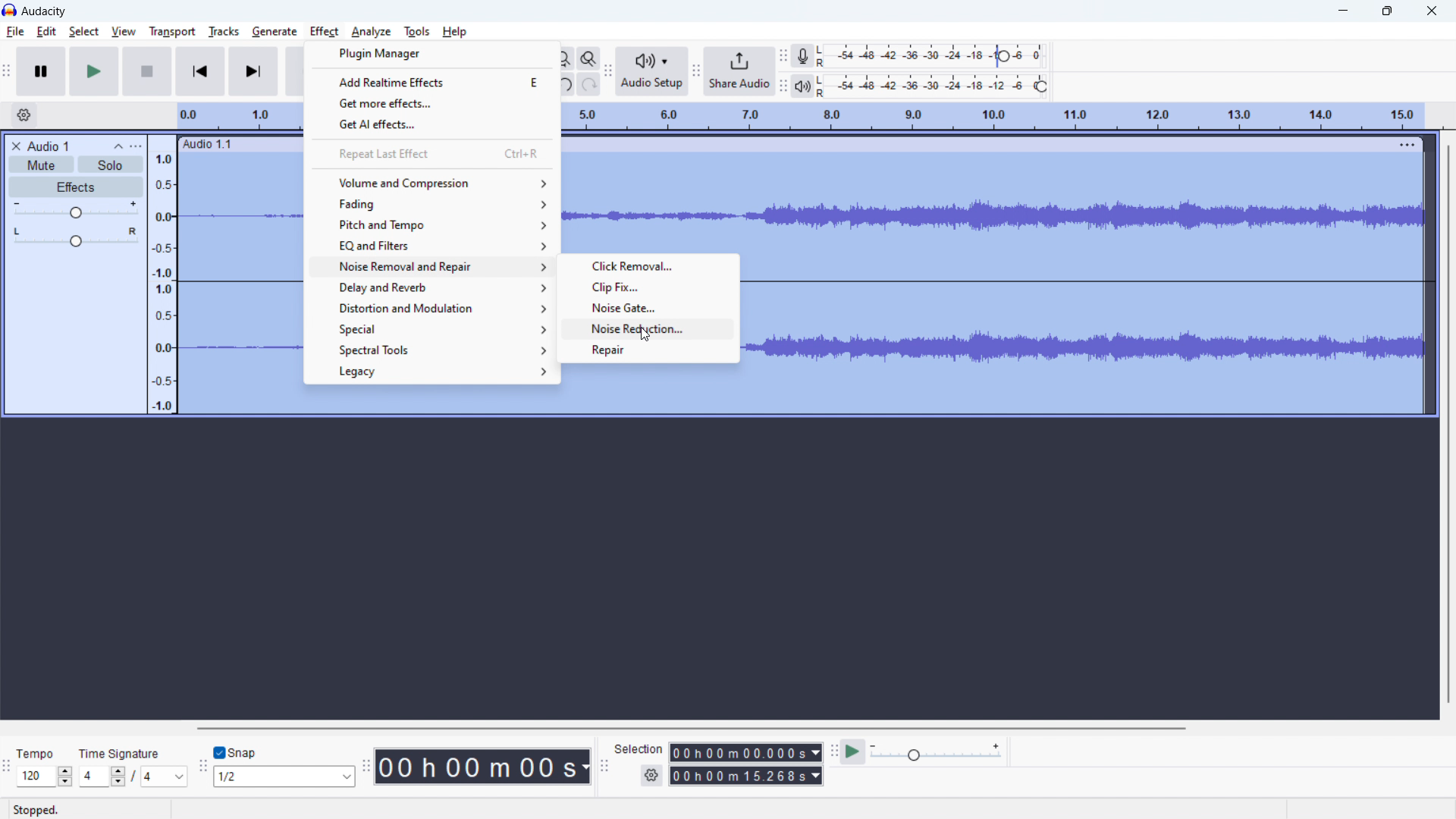  What do you see at coordinates (417, 32) in the screenshot?
I see `tools` at bounding box center [417, 32].